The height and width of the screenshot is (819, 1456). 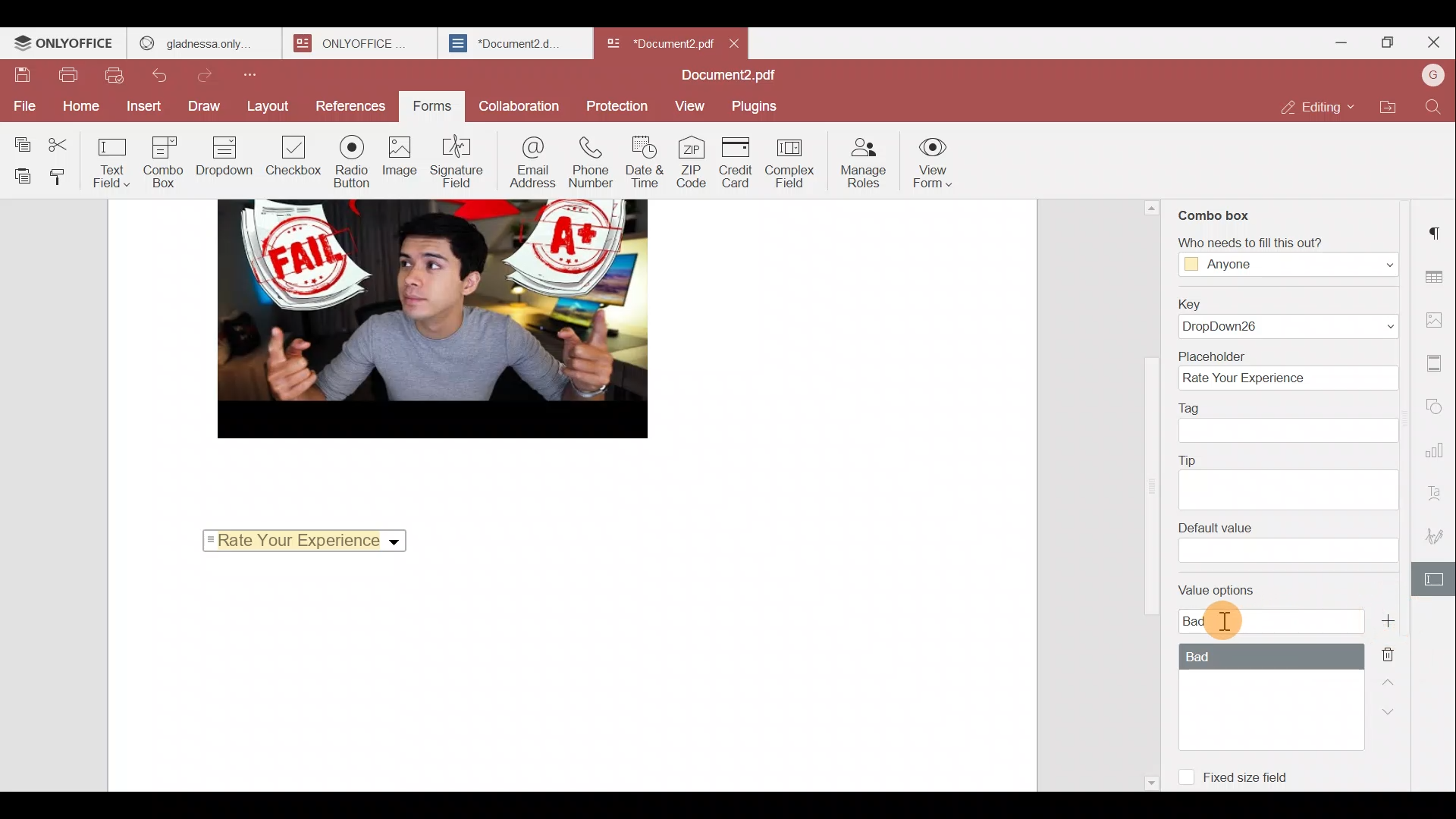 What do you see at coordinates (1439, 277) in the screenshot?
I see `Table settings` at bounding box center [1439, 277].